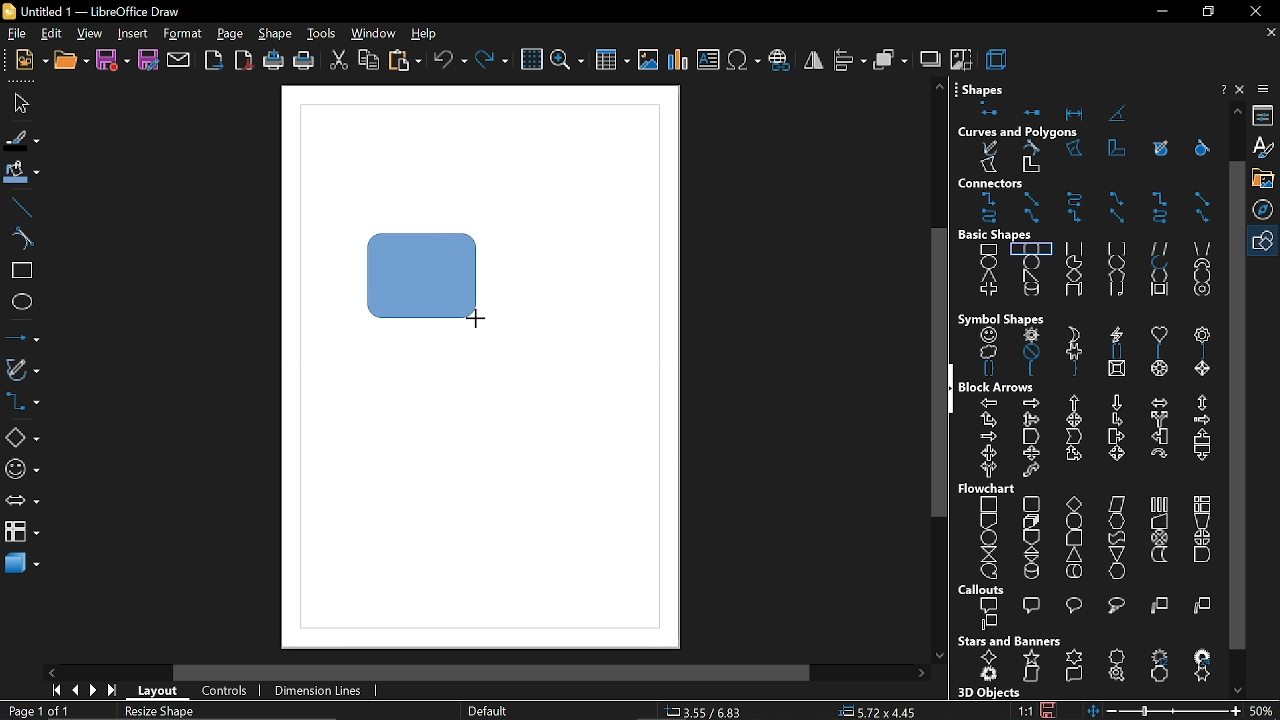 The width and height of the screenshot is (1280, 720). I want to click on co-ordinate, so click(709, 711).